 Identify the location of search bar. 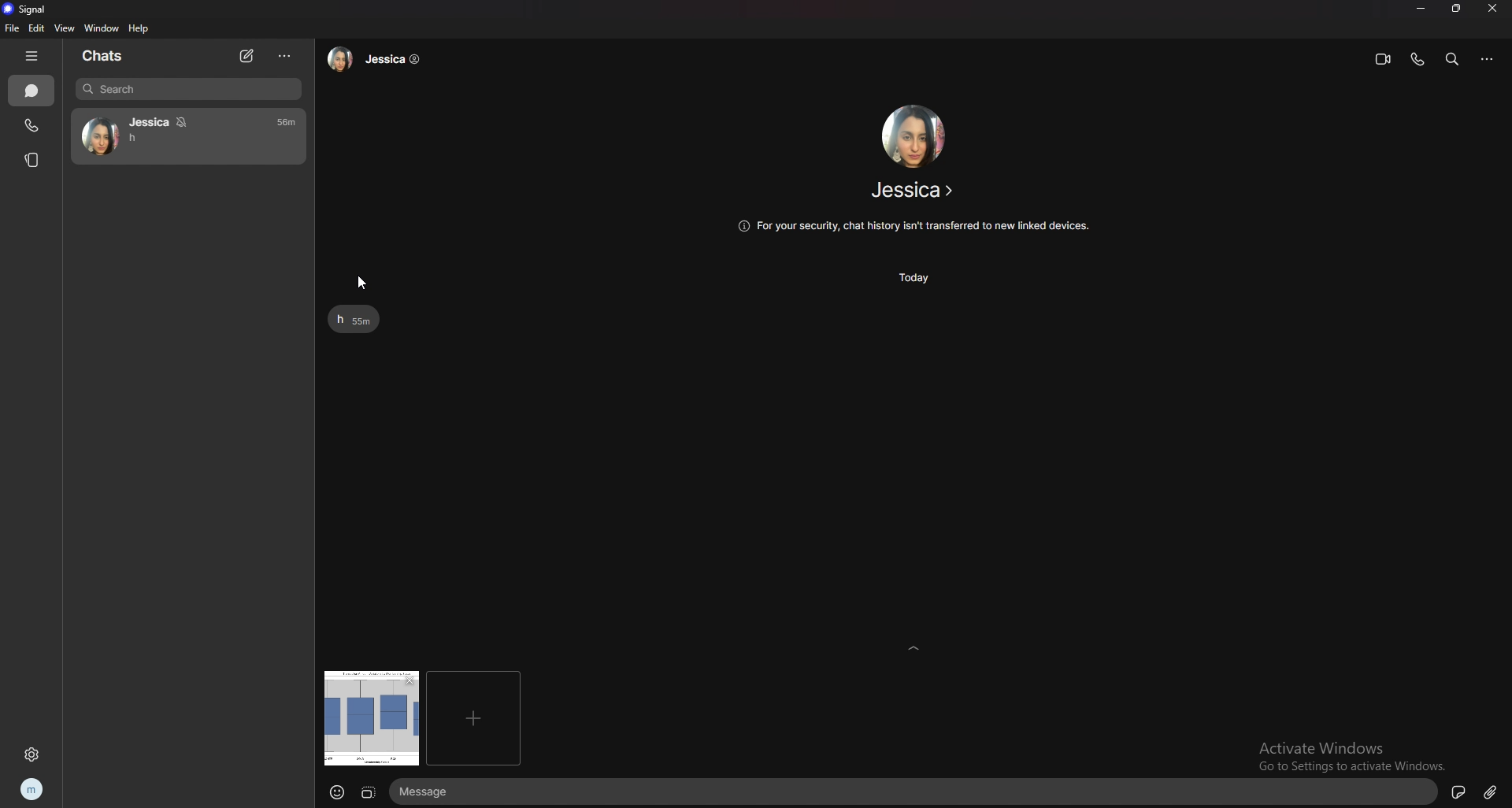
(189, 90).